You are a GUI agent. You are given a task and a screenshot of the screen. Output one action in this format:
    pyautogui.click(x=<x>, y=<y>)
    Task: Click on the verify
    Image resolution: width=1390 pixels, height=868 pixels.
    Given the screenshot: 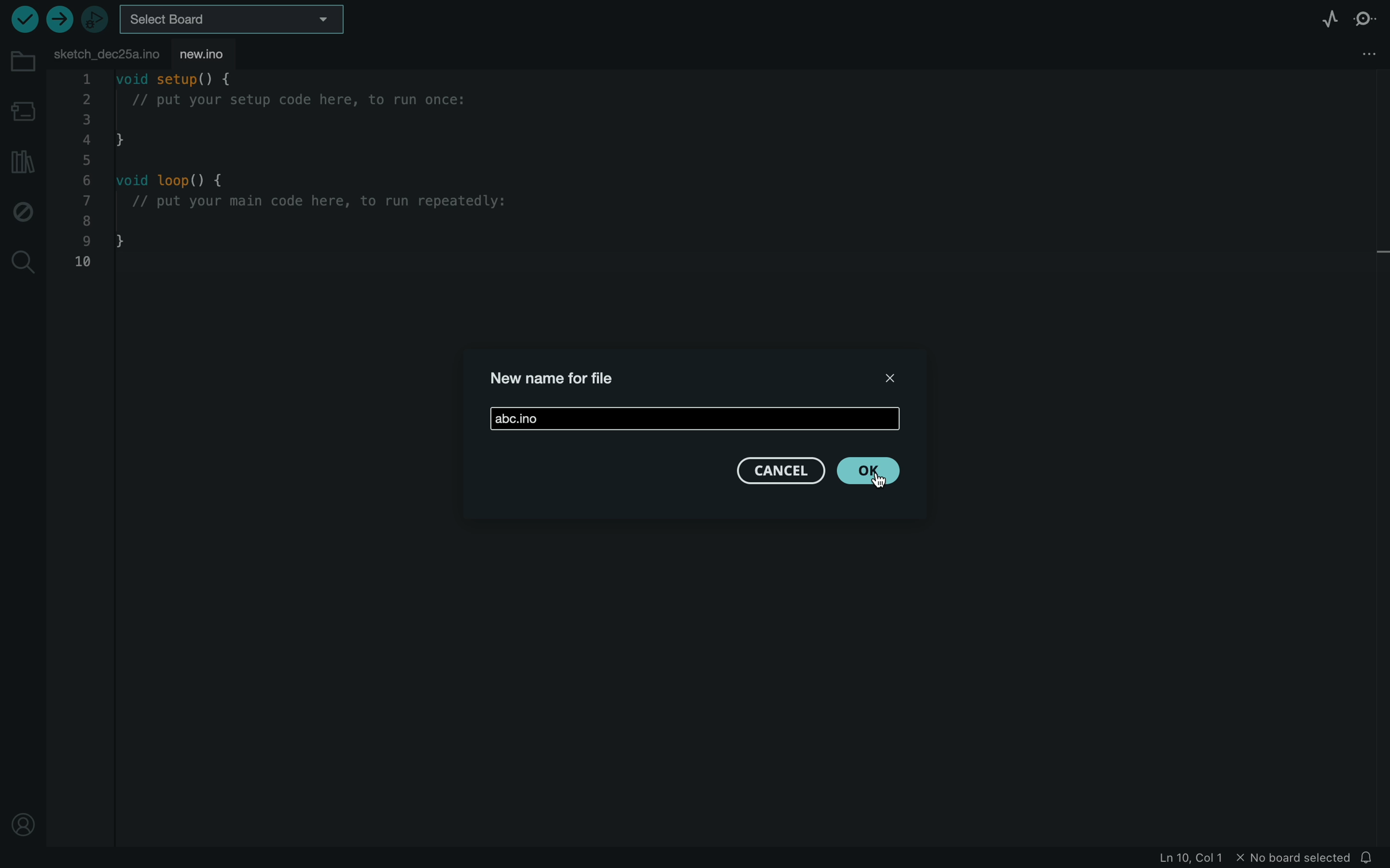 What is the action you would take?
    pyautogui.click(x=22, y=20)
    